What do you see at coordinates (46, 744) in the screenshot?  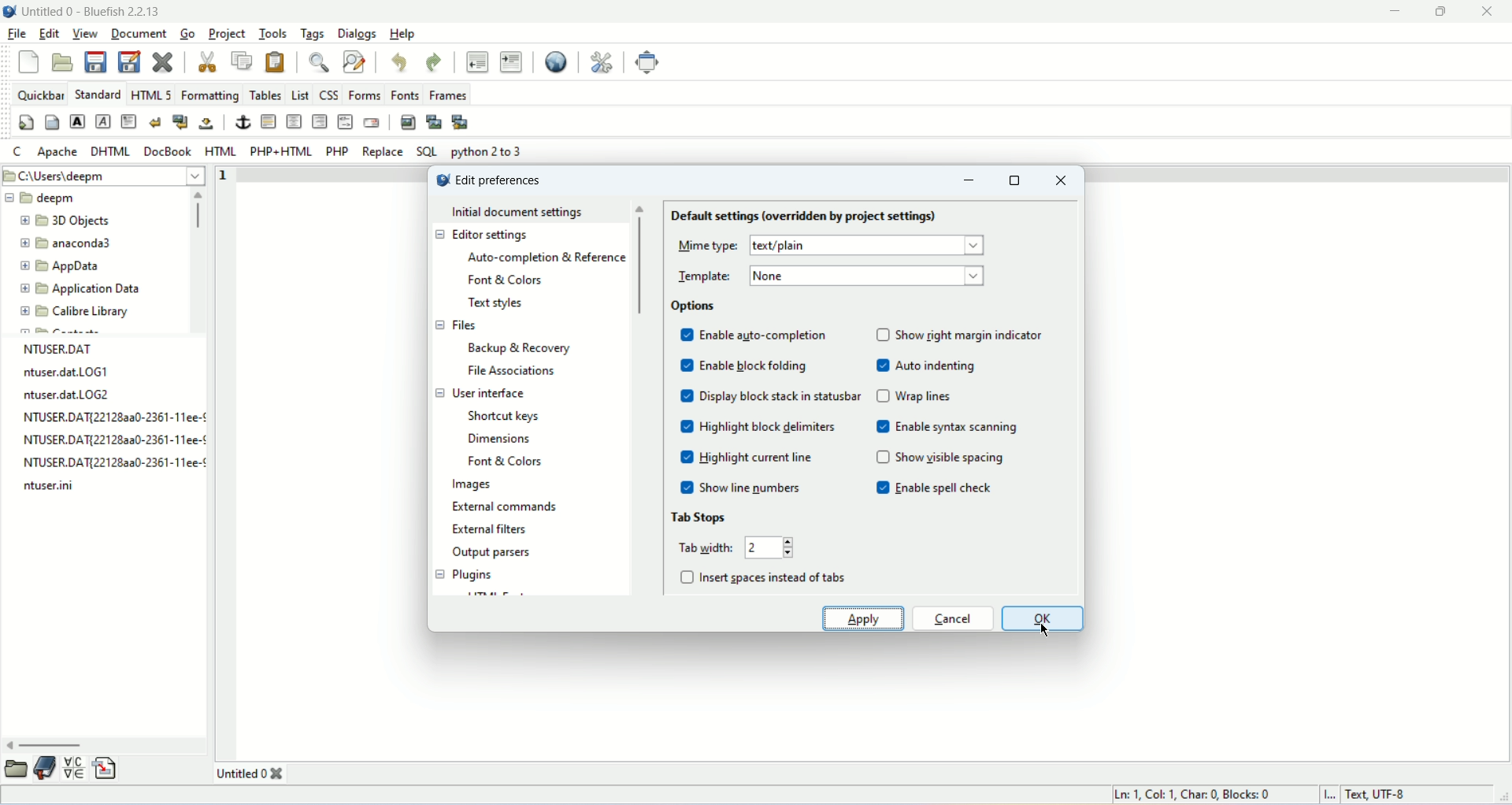 I see `horizontal scroll bar` at bounding box center [46, 744].